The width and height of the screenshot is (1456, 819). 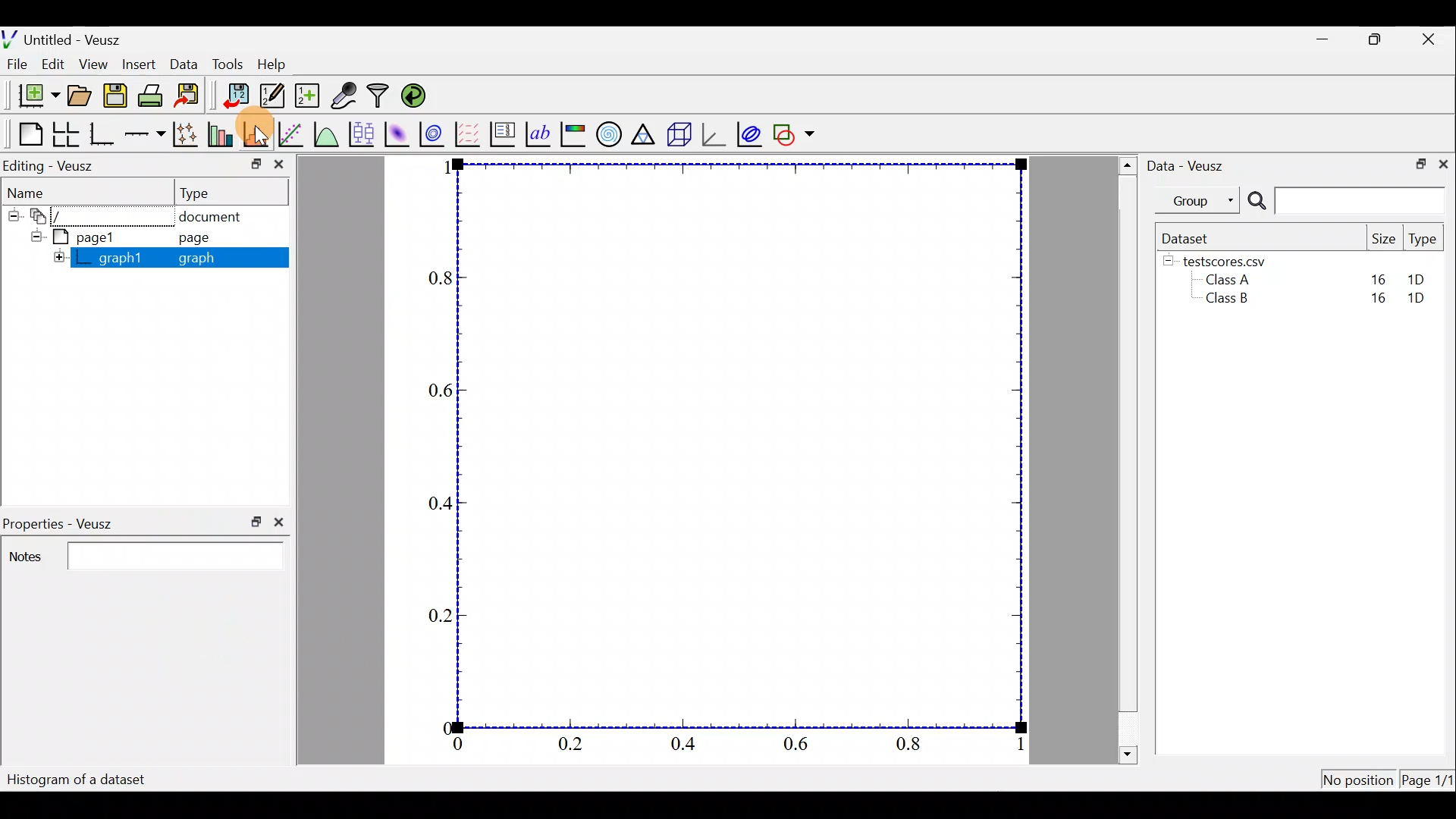 I want to click on Blank page, so click(x=24, y=132).